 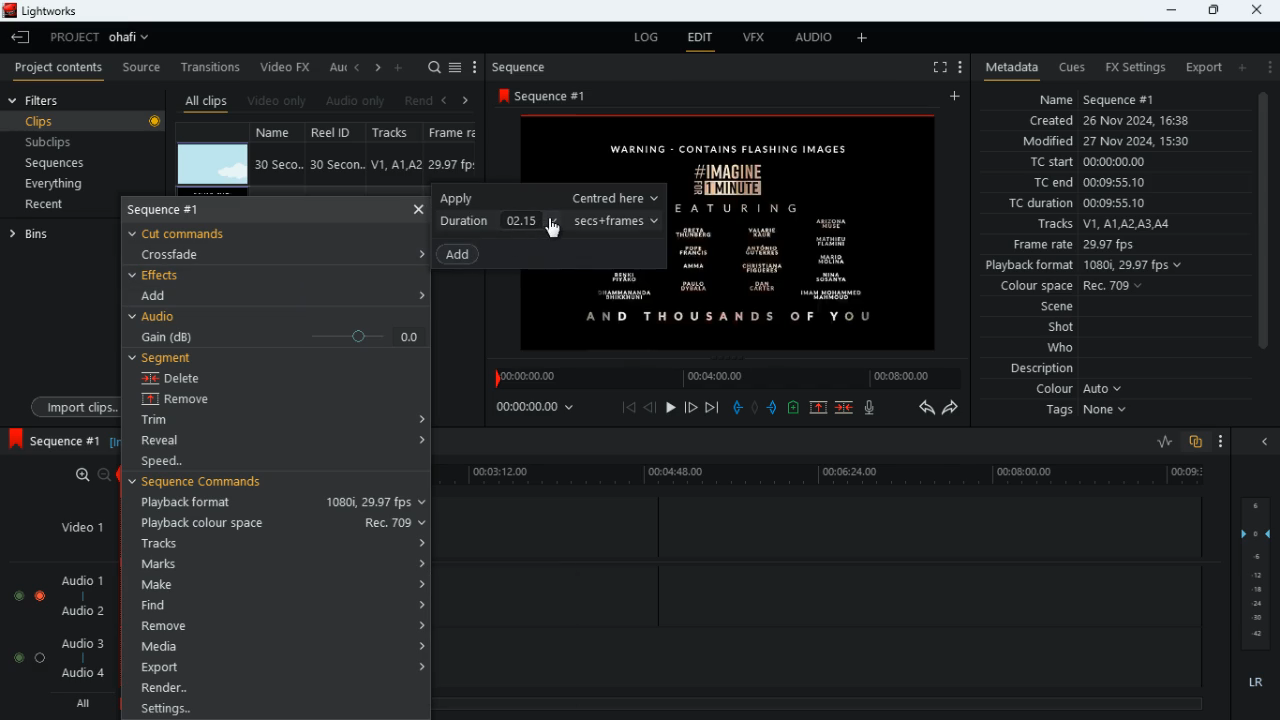 I want to click on maximize, so click(x=1213, y=10).